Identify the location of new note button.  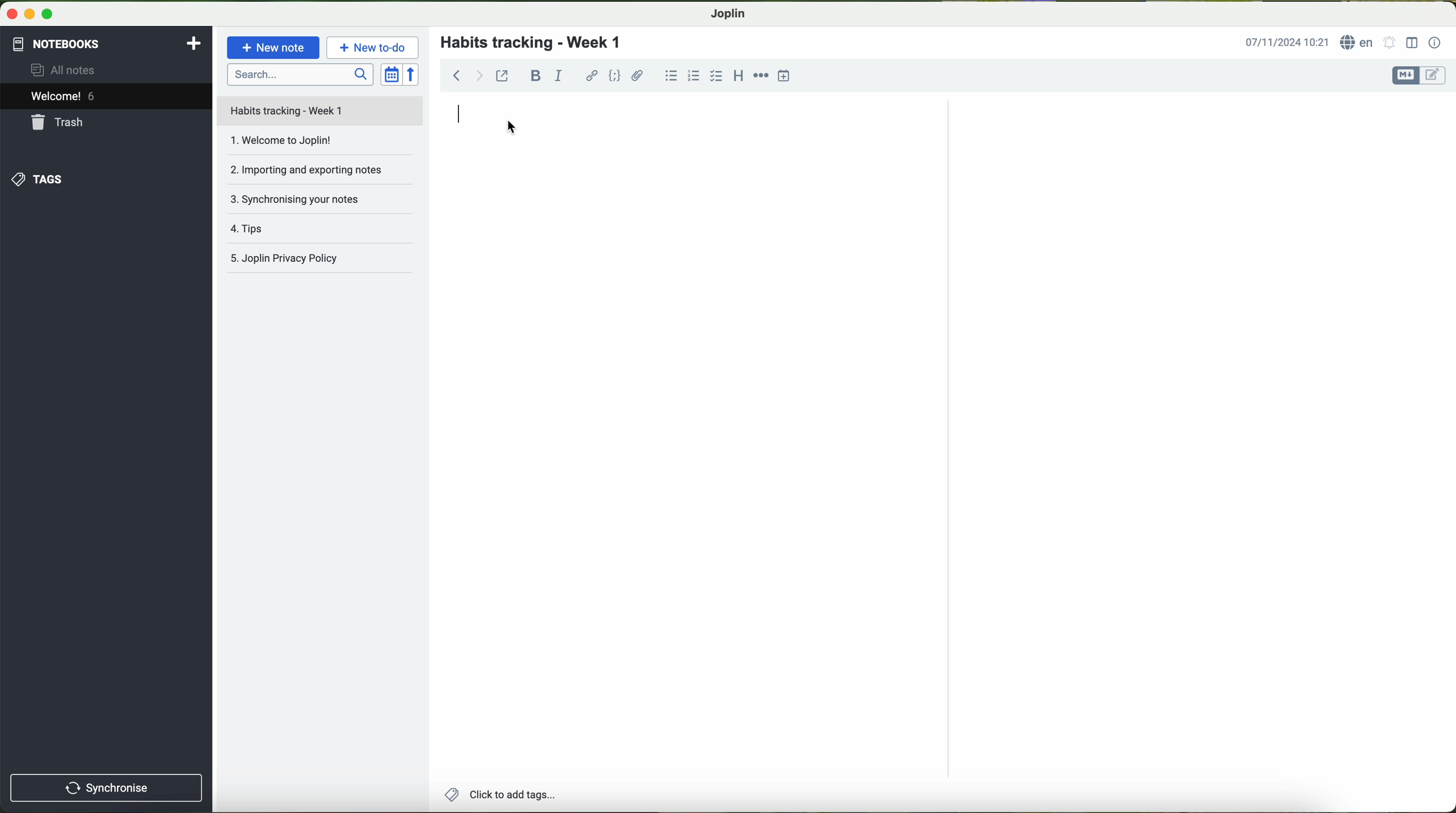
(274, 47).